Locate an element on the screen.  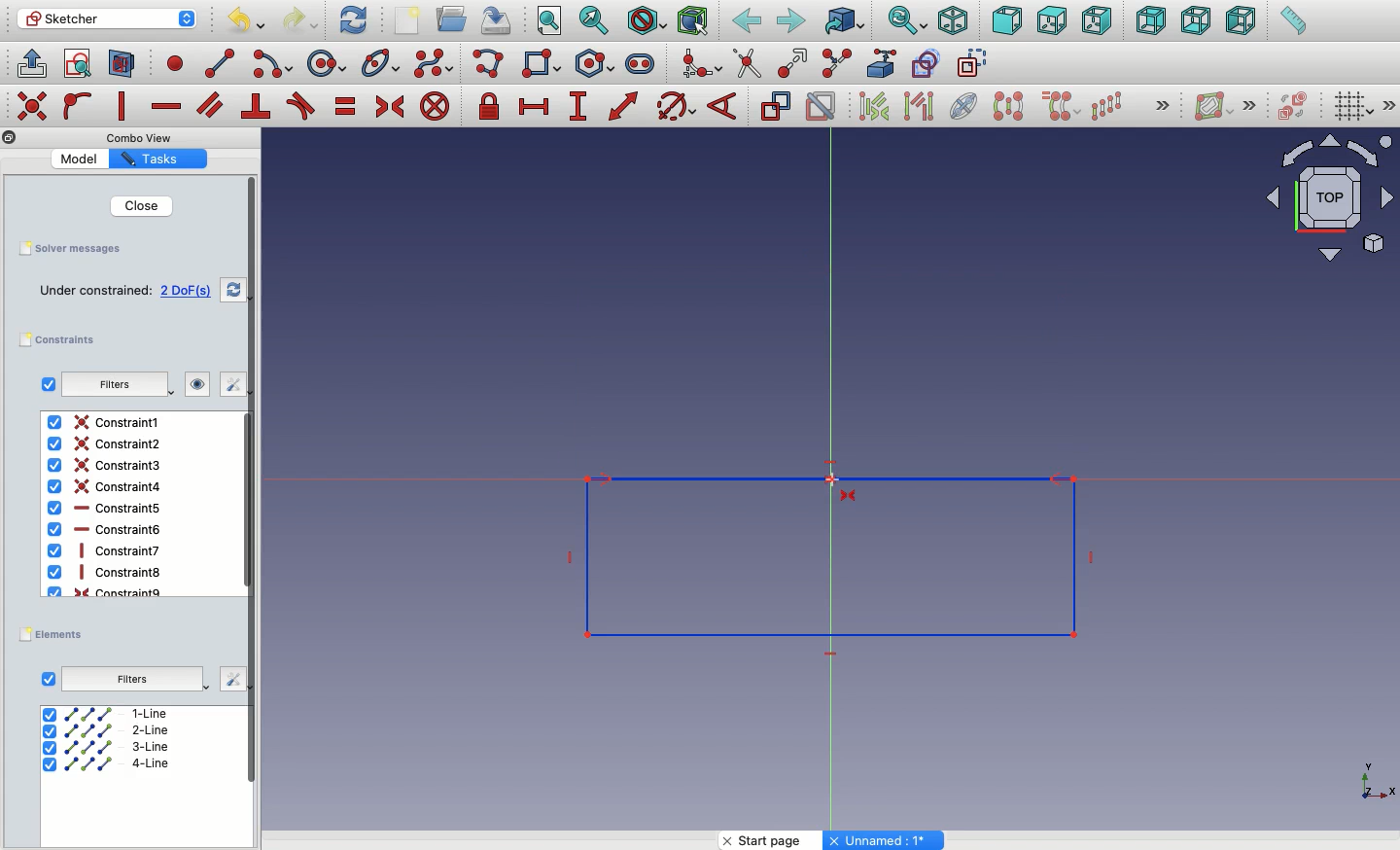
Selected associated geometry is located at coordinates (917, 105).